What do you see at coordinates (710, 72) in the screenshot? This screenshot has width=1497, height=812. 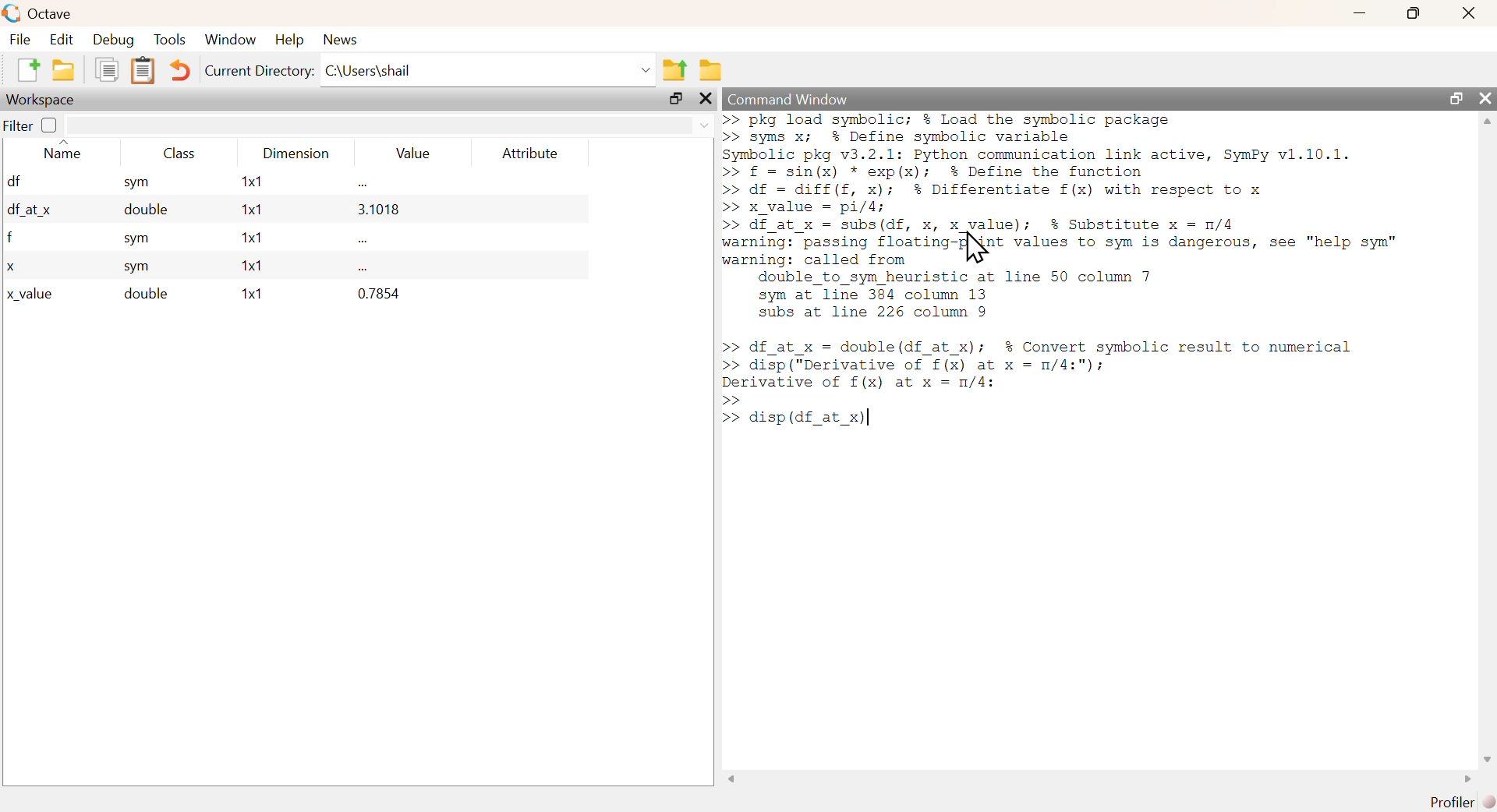 I see `Browse directories` at bounding box center [710, 72].